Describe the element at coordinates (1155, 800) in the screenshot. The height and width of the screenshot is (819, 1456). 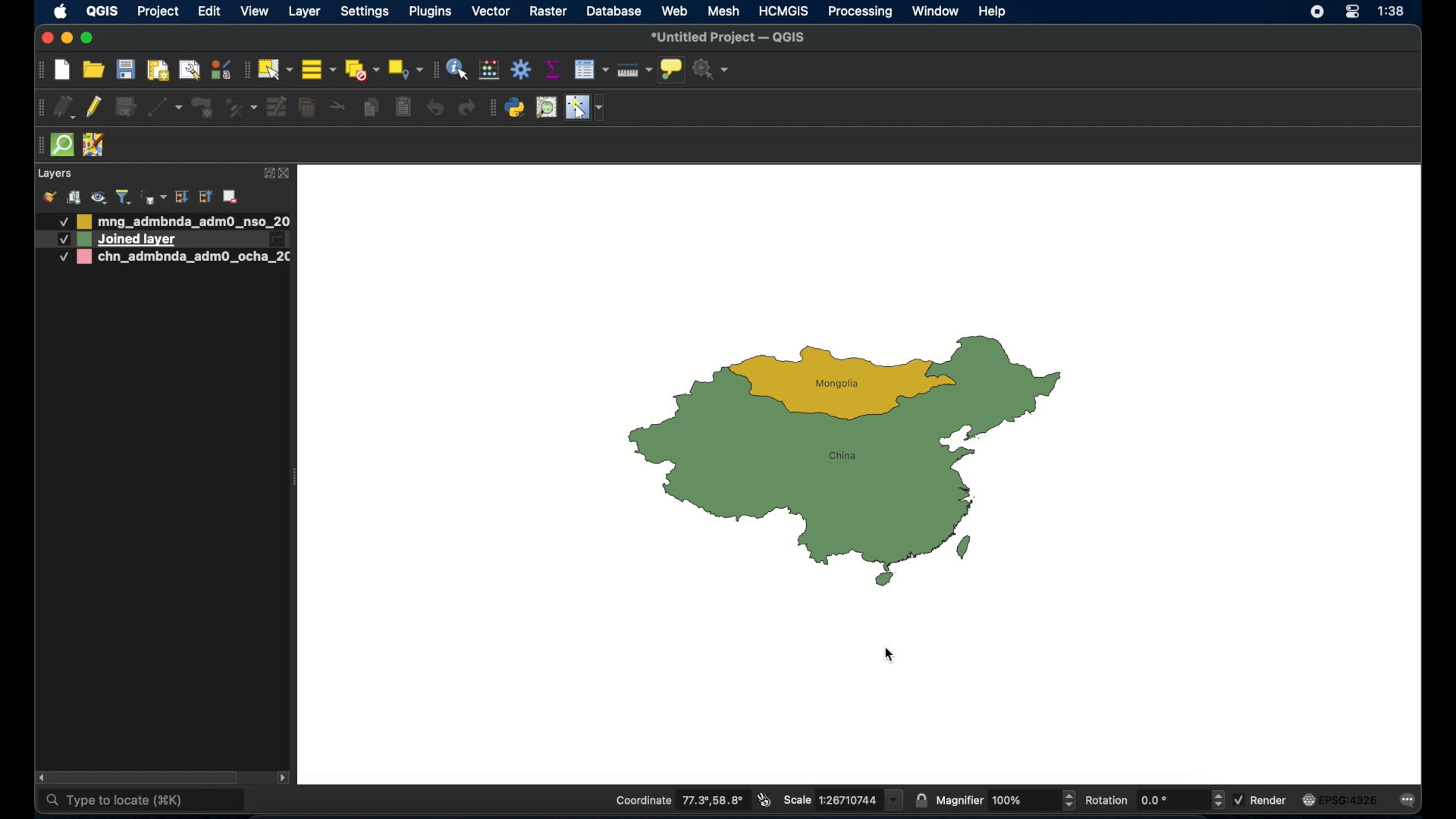
I see `rotation` at that location.